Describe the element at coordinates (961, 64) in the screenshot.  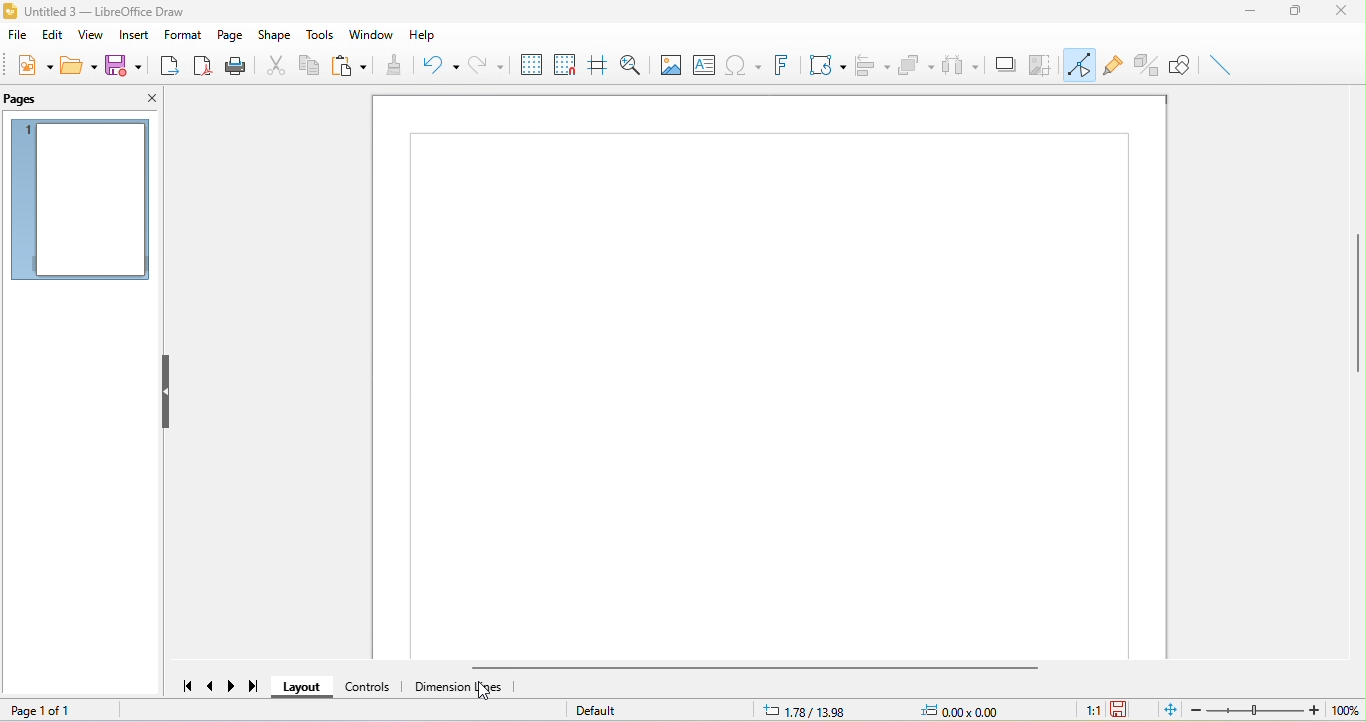
I see `select at least three object to distribute` at that location.